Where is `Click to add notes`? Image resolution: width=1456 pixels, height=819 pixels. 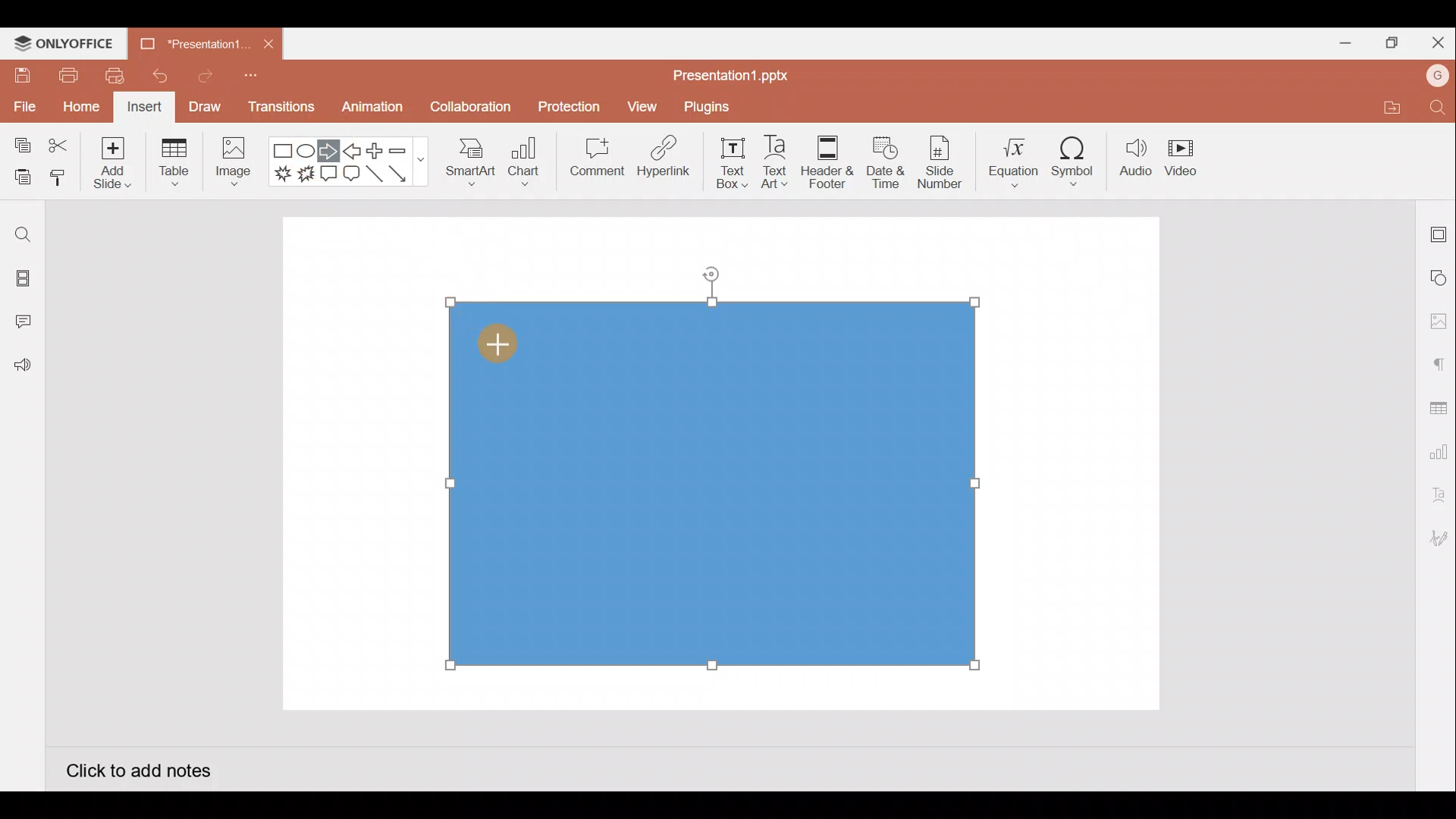 Click to add notes is located at coordinates (138, 769).